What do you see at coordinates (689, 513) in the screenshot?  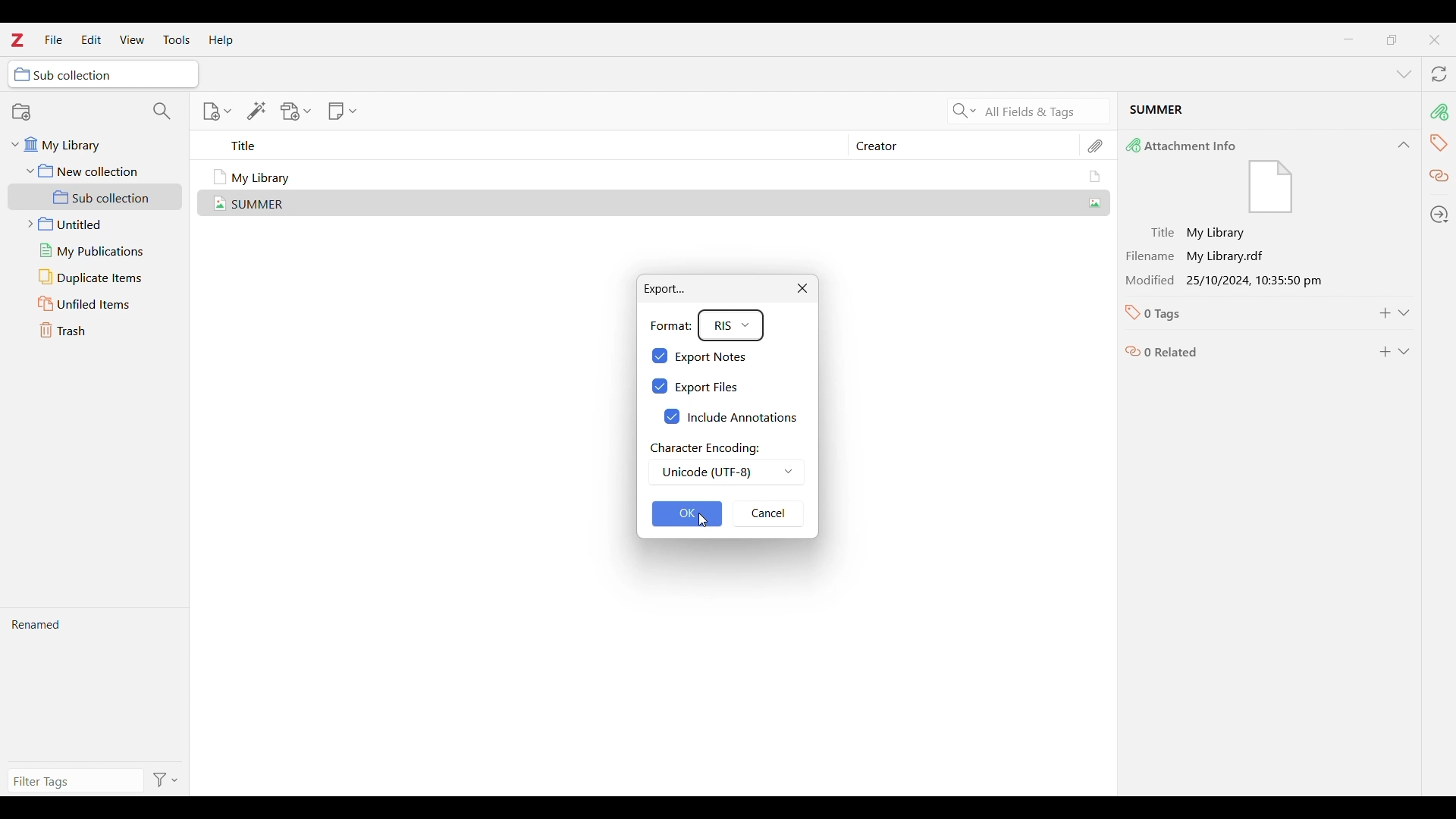 I see `OK` at bounding box center [689, 513].